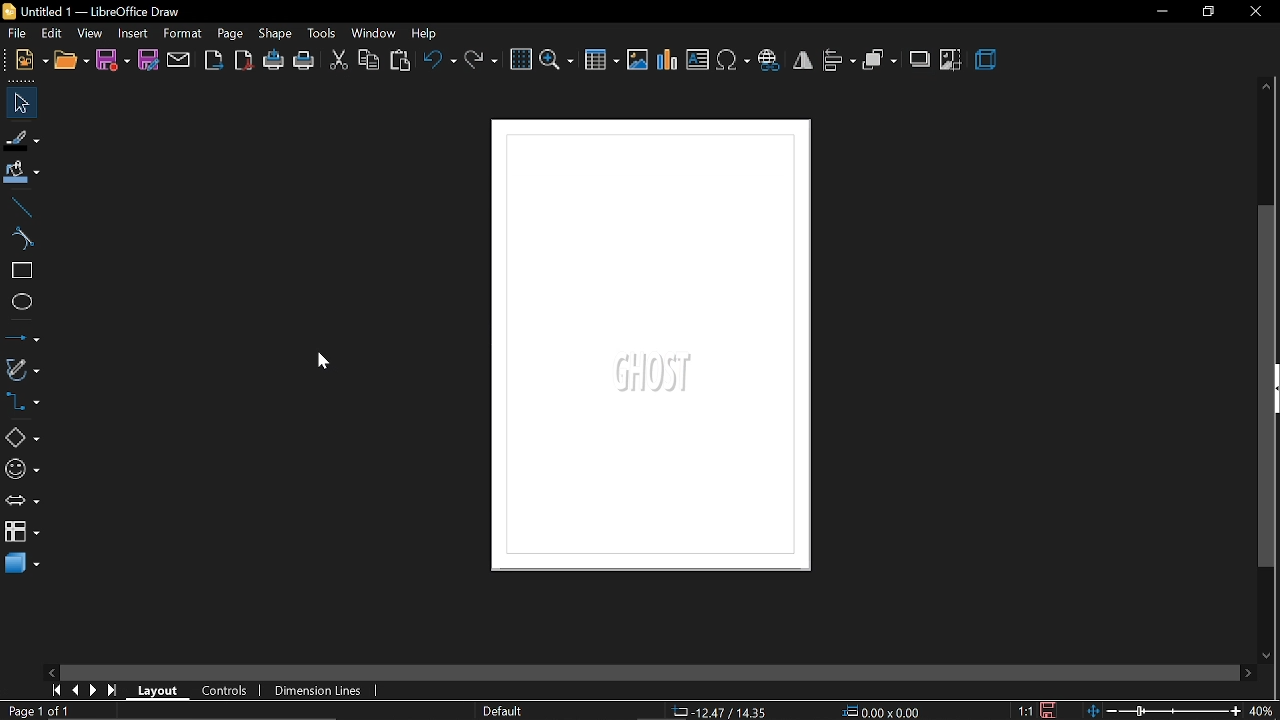 The width and height of the screenshot is (1280, 720). What do you see at coordinates (986, 60) in the screenshot?
I see `3d effect` at bounding box center [986, 60].